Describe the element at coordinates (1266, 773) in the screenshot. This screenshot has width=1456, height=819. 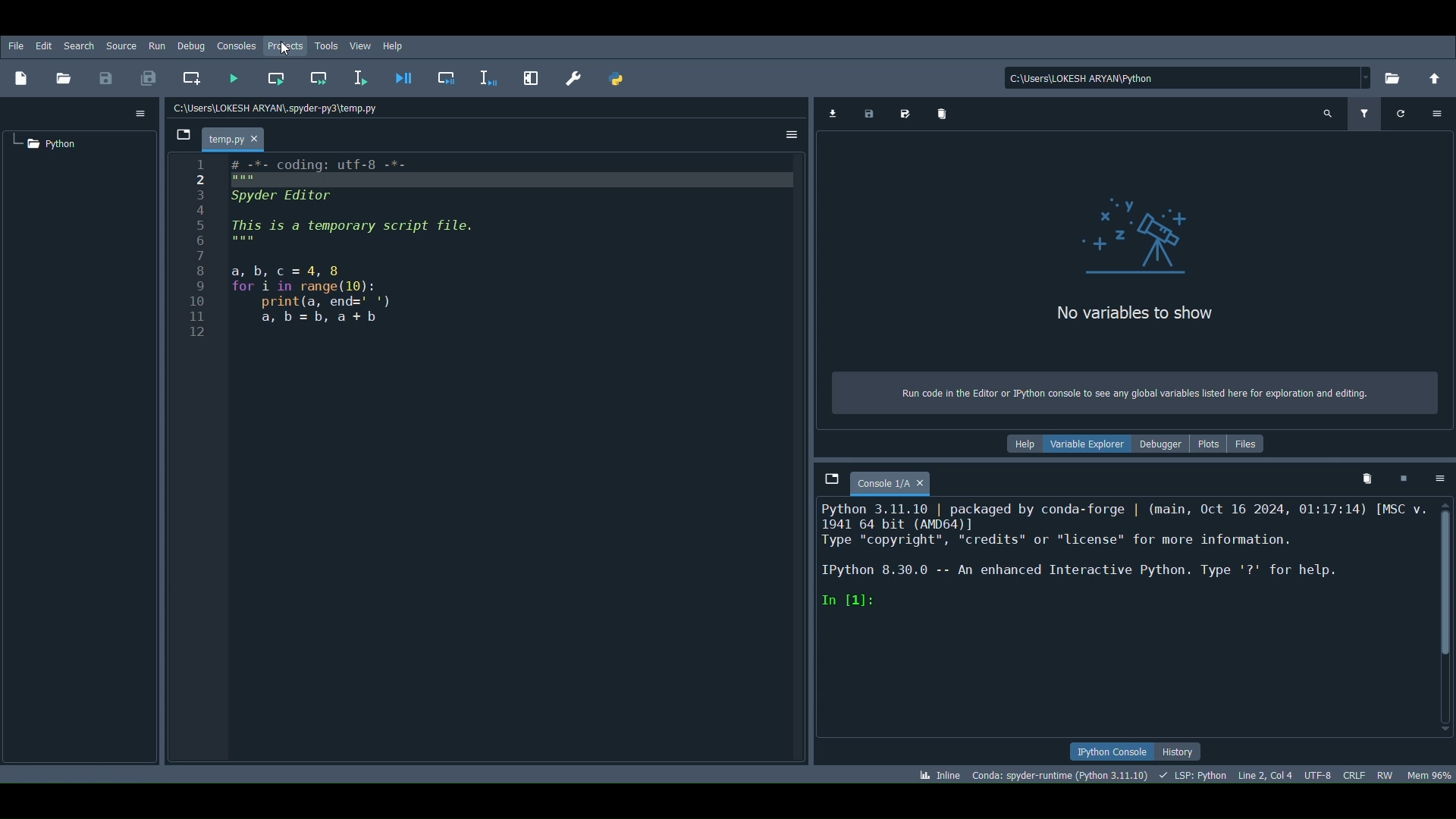
I see `Cursor position` at that location.